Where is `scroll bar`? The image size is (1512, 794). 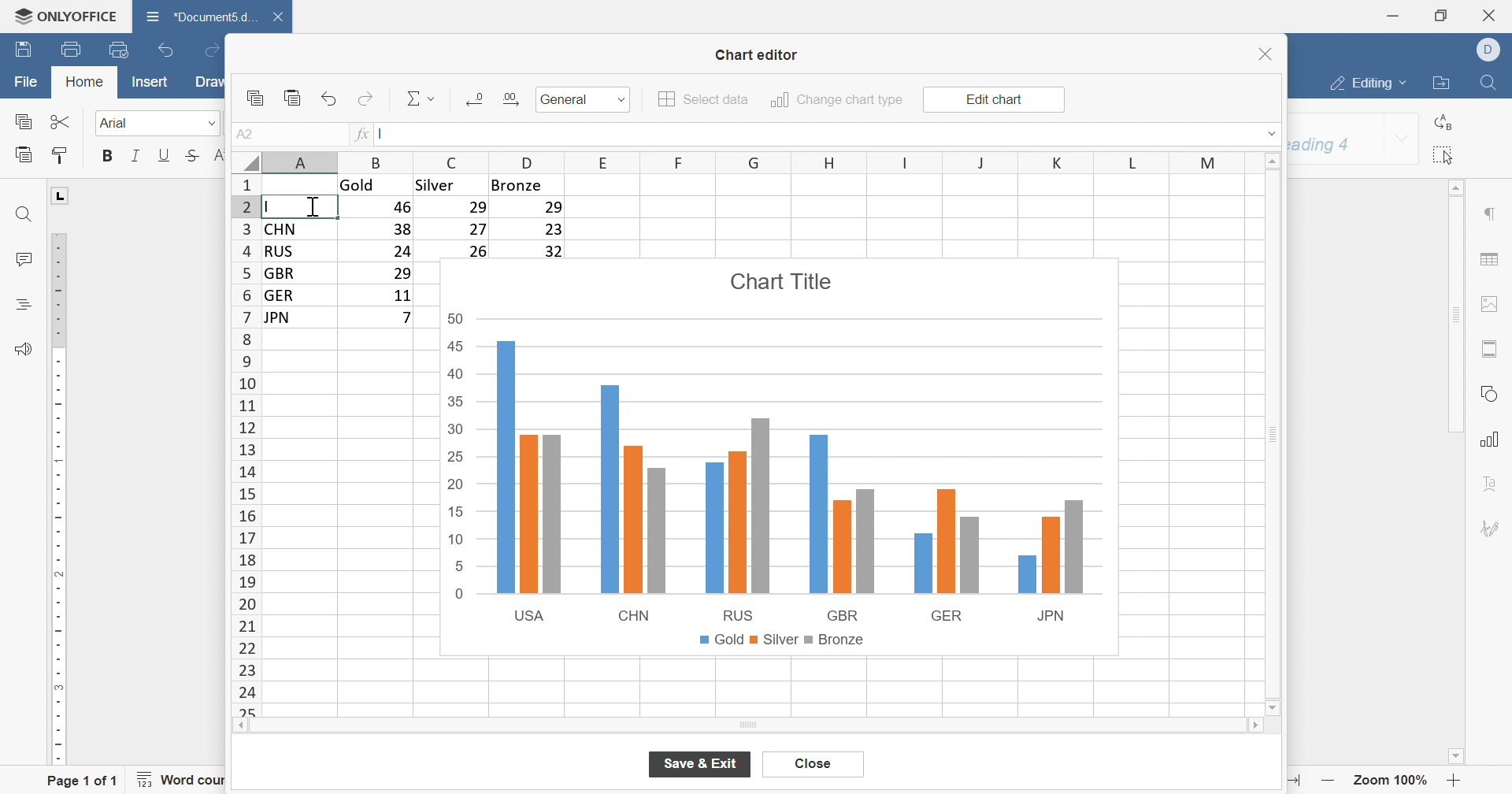
scroll bar is located at coordinates (1269, 435).